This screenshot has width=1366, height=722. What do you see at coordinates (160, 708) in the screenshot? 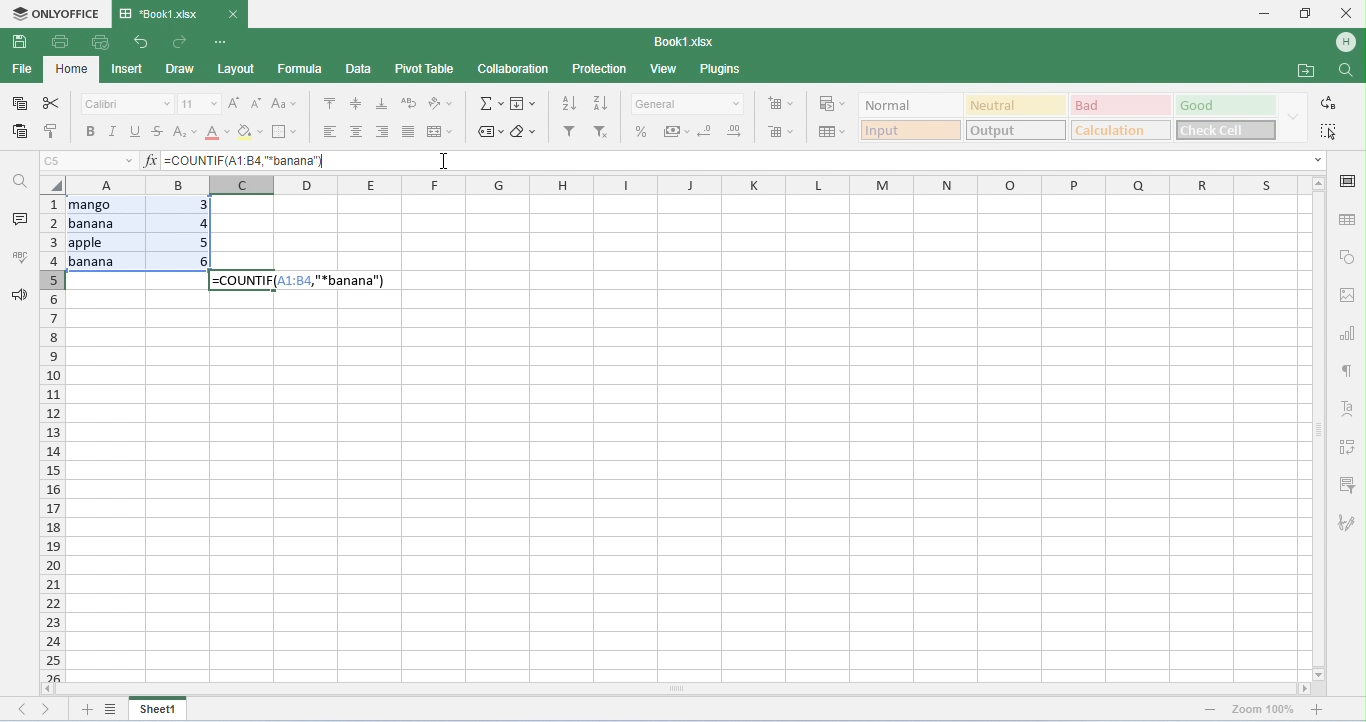
I see `sheet1` at bounding box center [160, 708].